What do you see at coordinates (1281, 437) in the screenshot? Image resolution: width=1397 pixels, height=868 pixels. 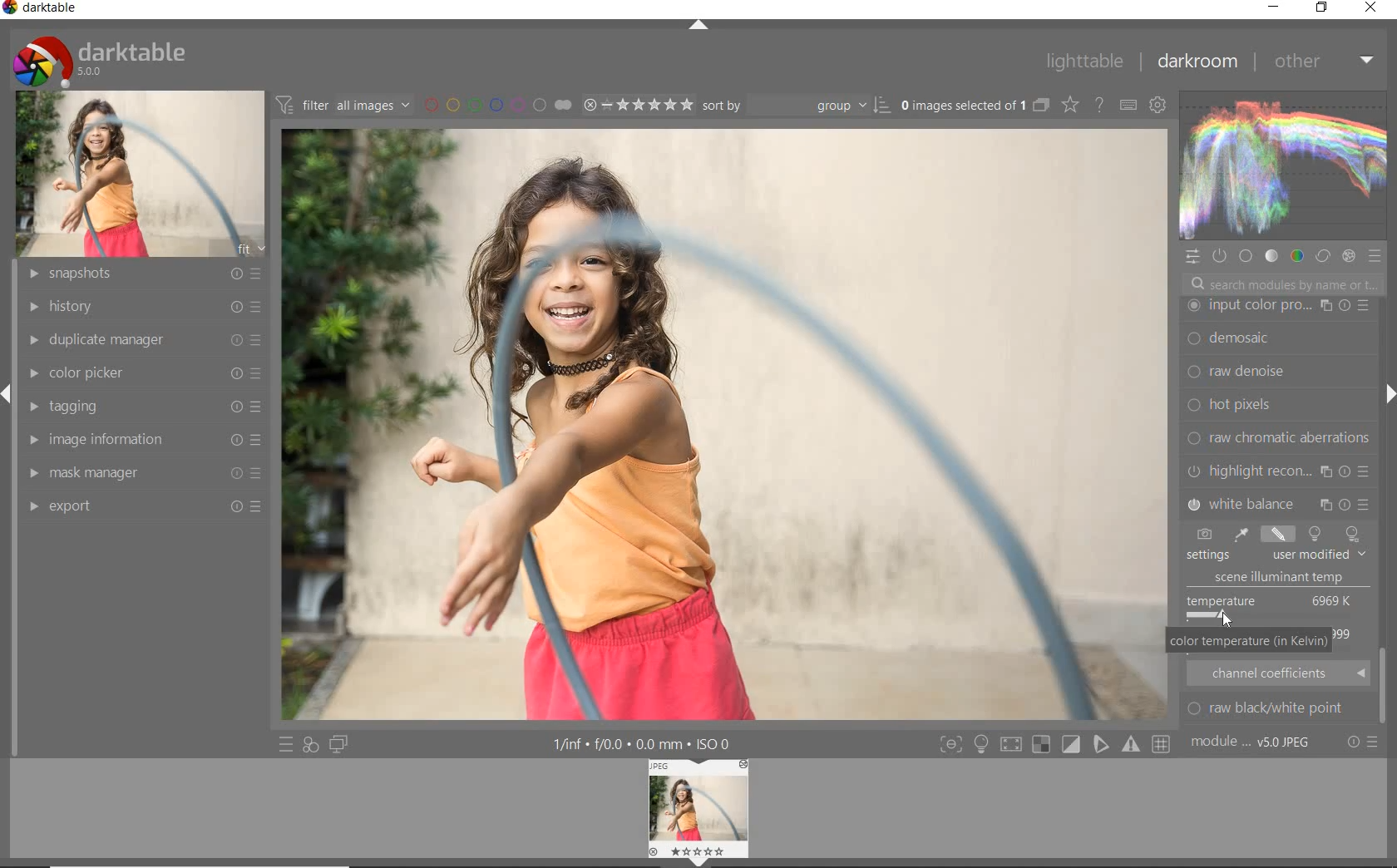 I see `color reconstruction` at bounding box center [1281, 437].